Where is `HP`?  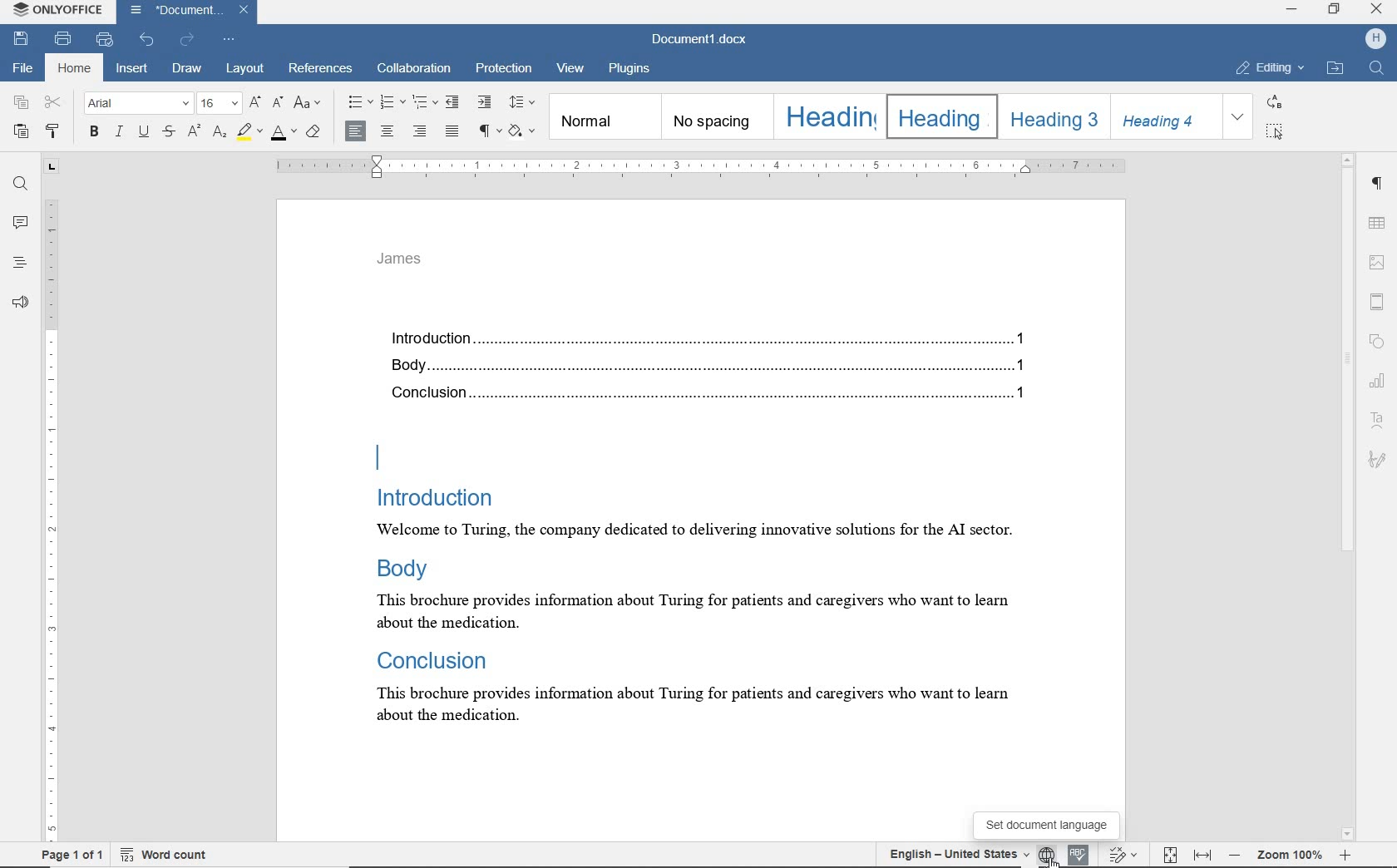 HP is located at coordinates (1375, 39).